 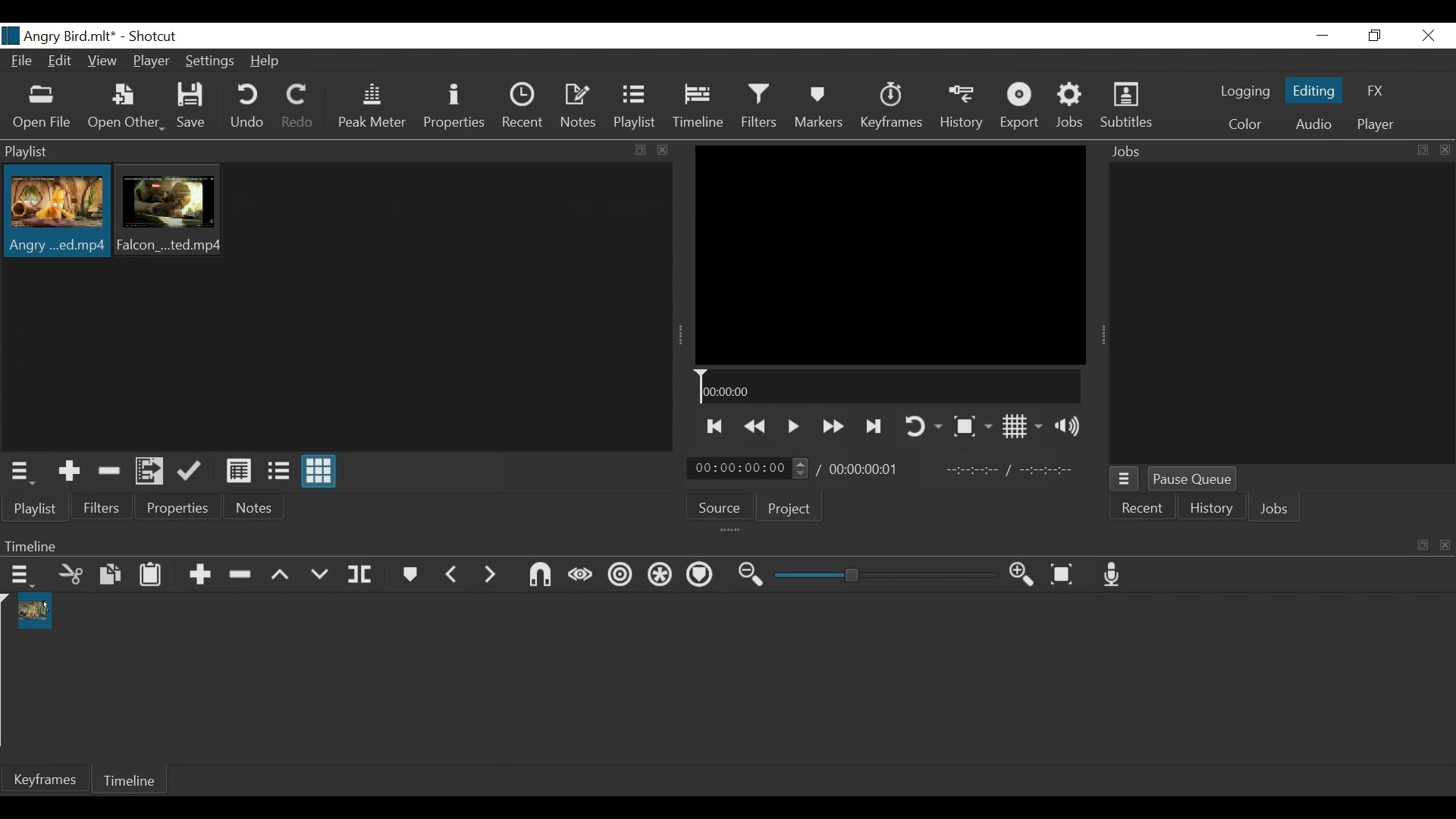 What do you see at coordinates (362, 576) in the screenshot?
I see `Split at playhead` at bounding box center [362, 576].